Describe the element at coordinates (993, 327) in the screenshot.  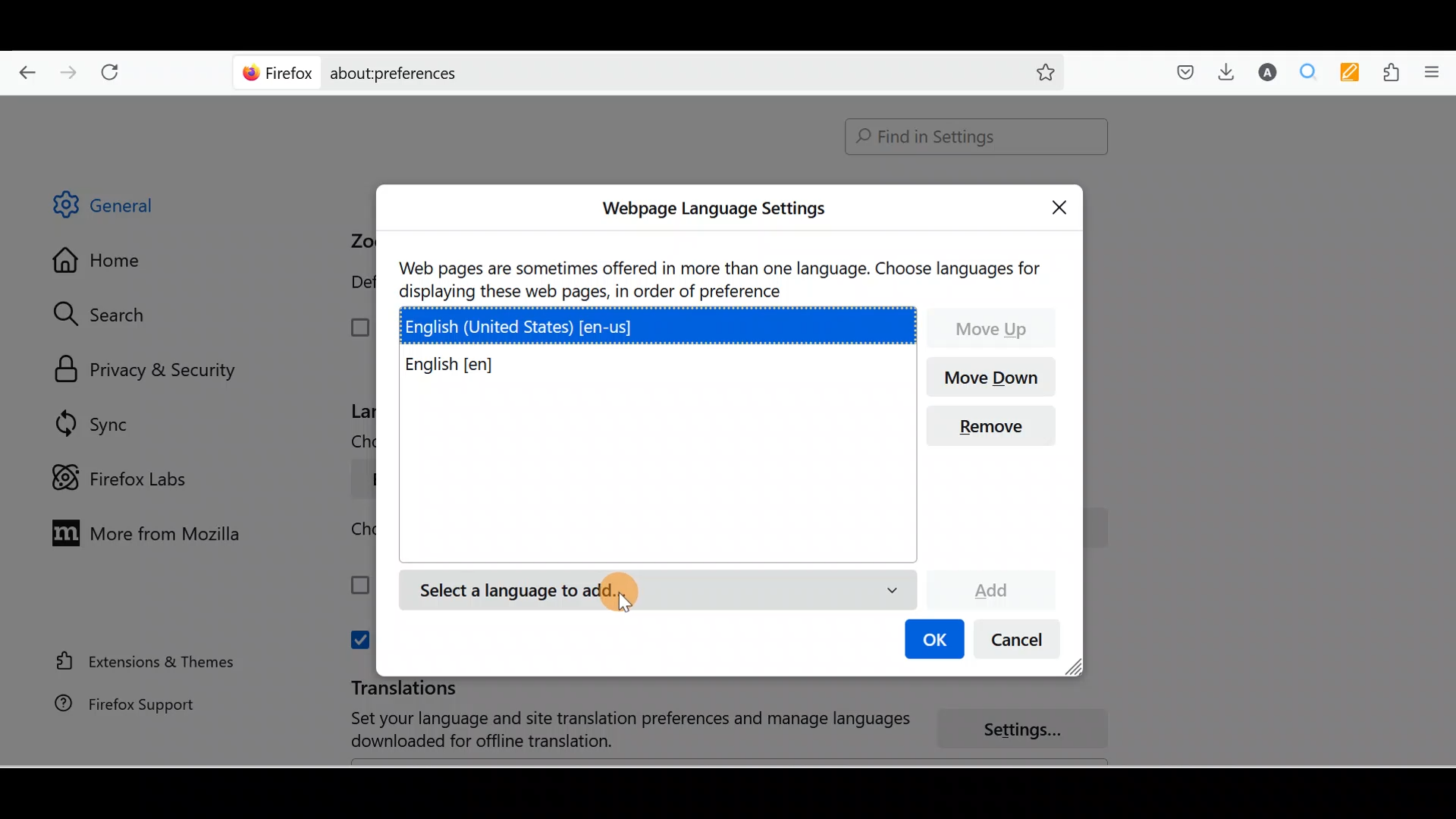
I see `Move up` at that location.